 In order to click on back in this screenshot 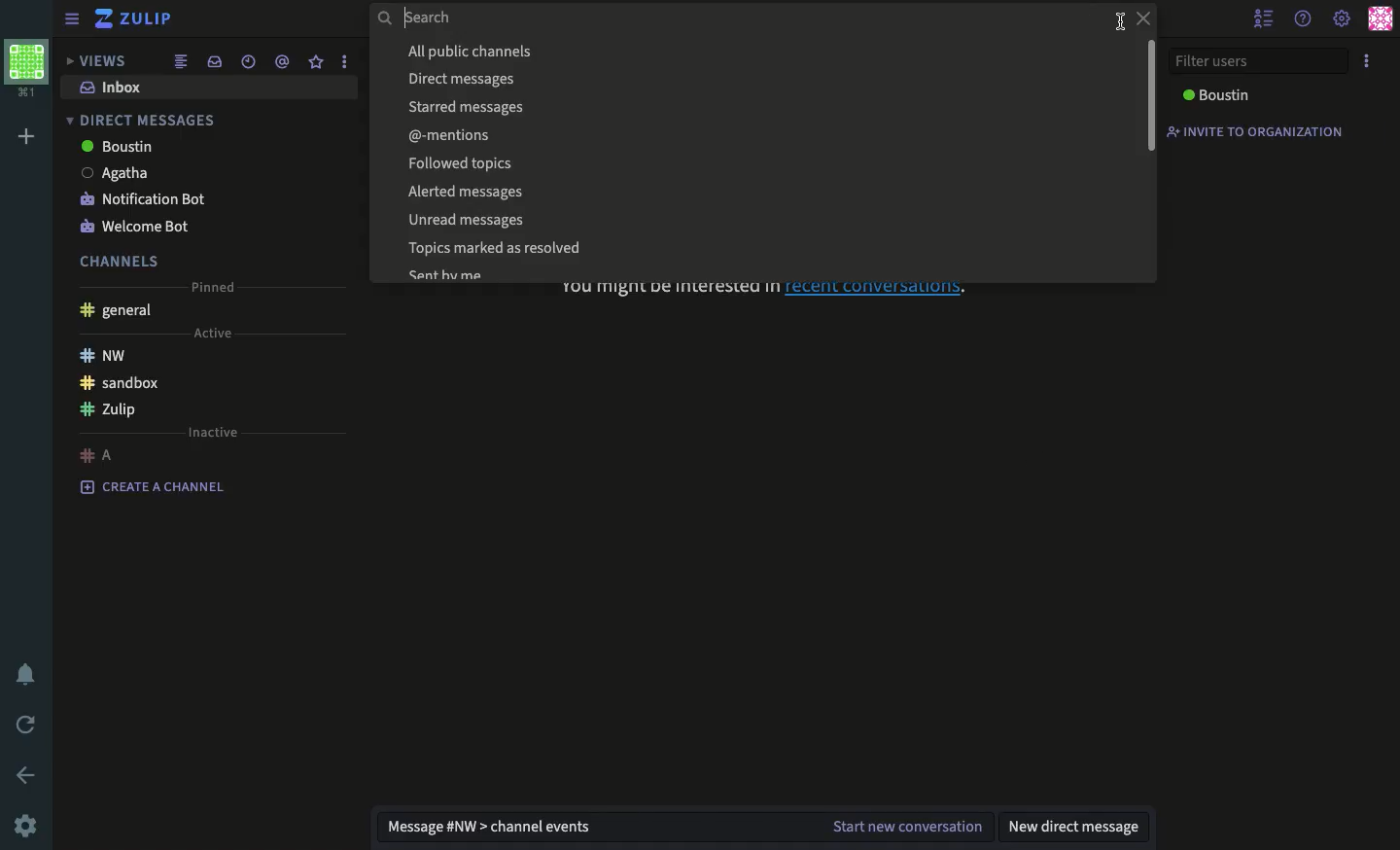, I will do `click(28, 775)`.